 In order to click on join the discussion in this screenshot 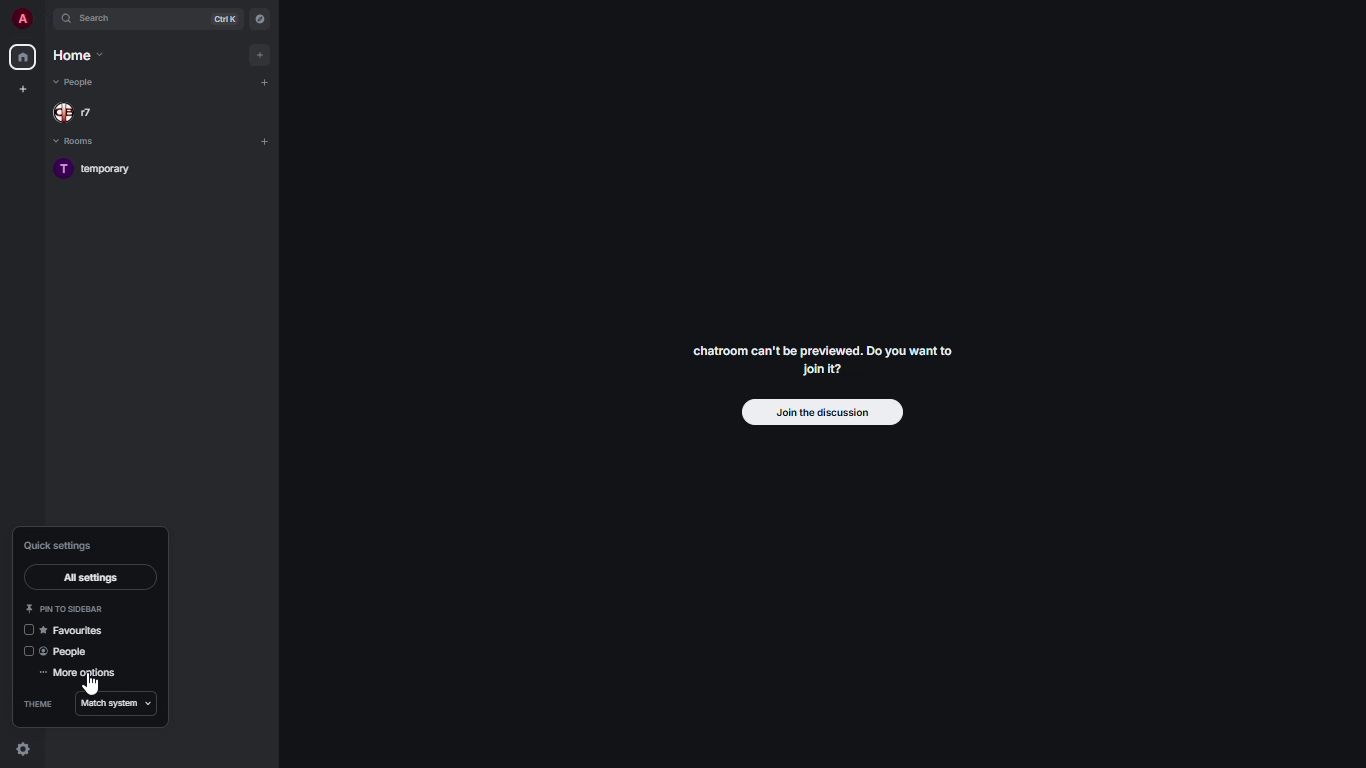, I will do `click(830, 411)`.